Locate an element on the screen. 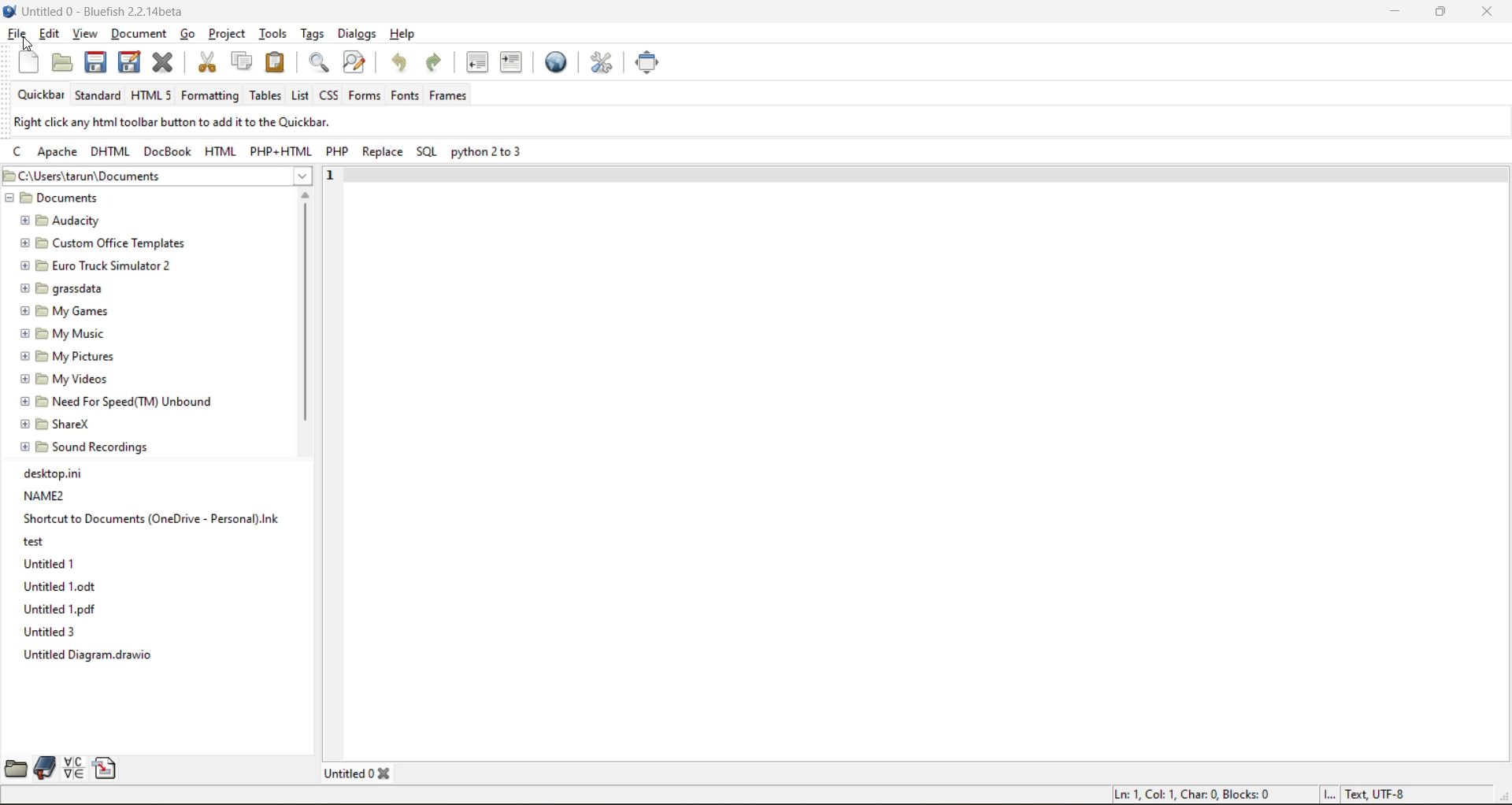 The height and width of the screenshot is (805, 1512). bookmarks is located at coordinates (46, 767).